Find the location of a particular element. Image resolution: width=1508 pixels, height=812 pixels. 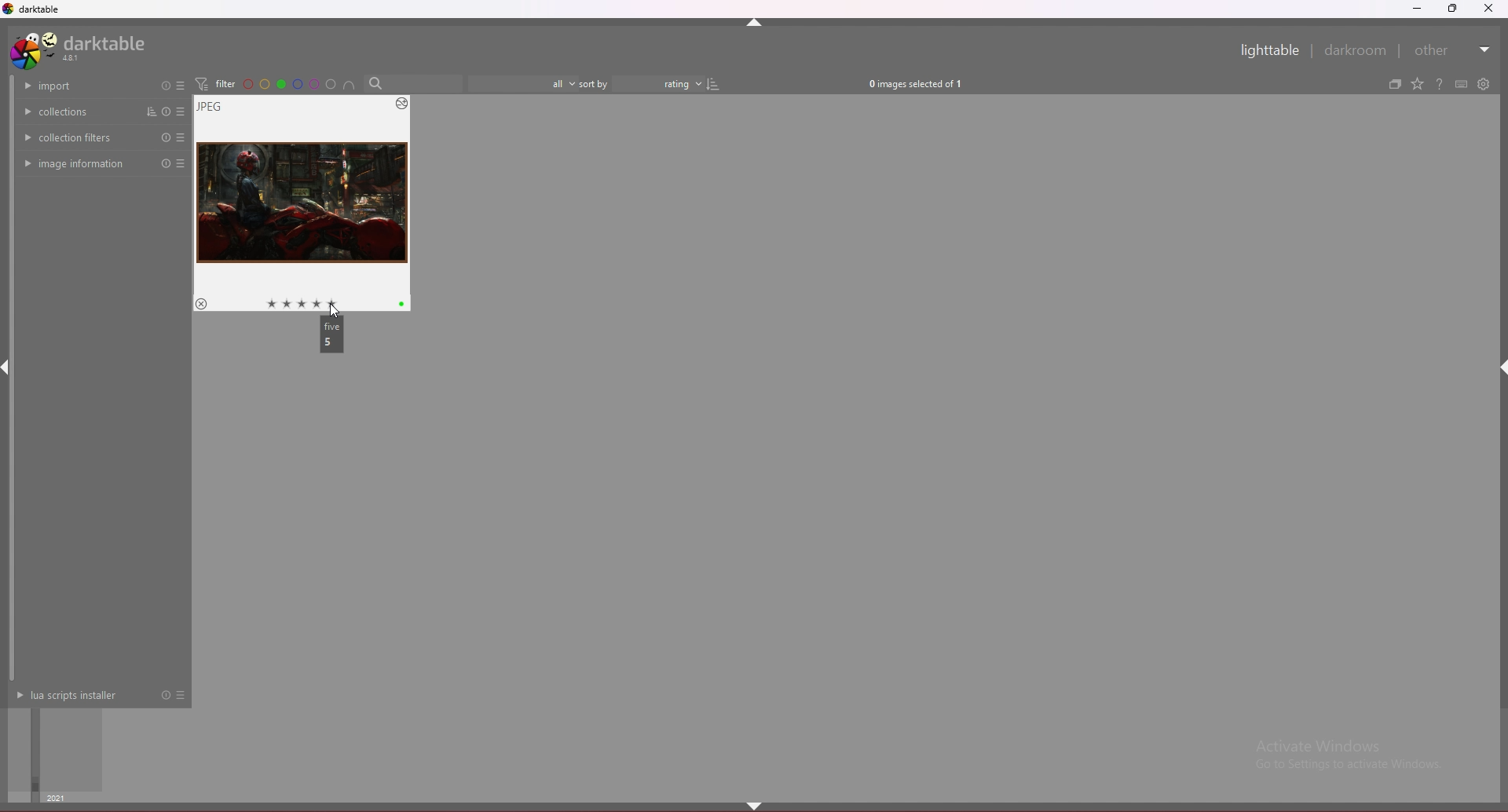

lighttable is located at coordinates (1272, 50).